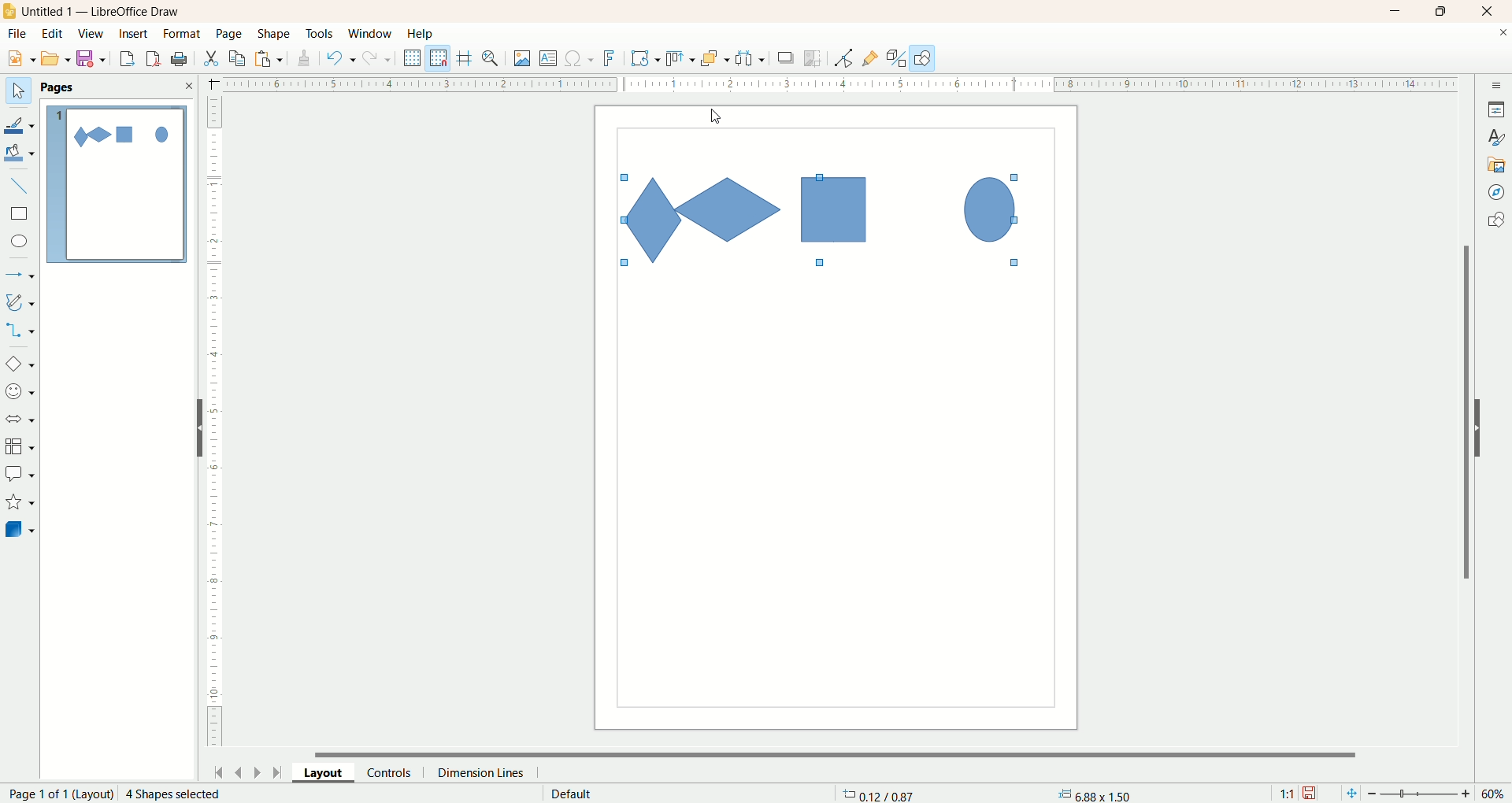 Image resolution: width=1512 pixels, height=803 pixels. What do you see at coordinates (523, 59) in the screenshot?
I see `insert image` at bounding box center [523, 59].